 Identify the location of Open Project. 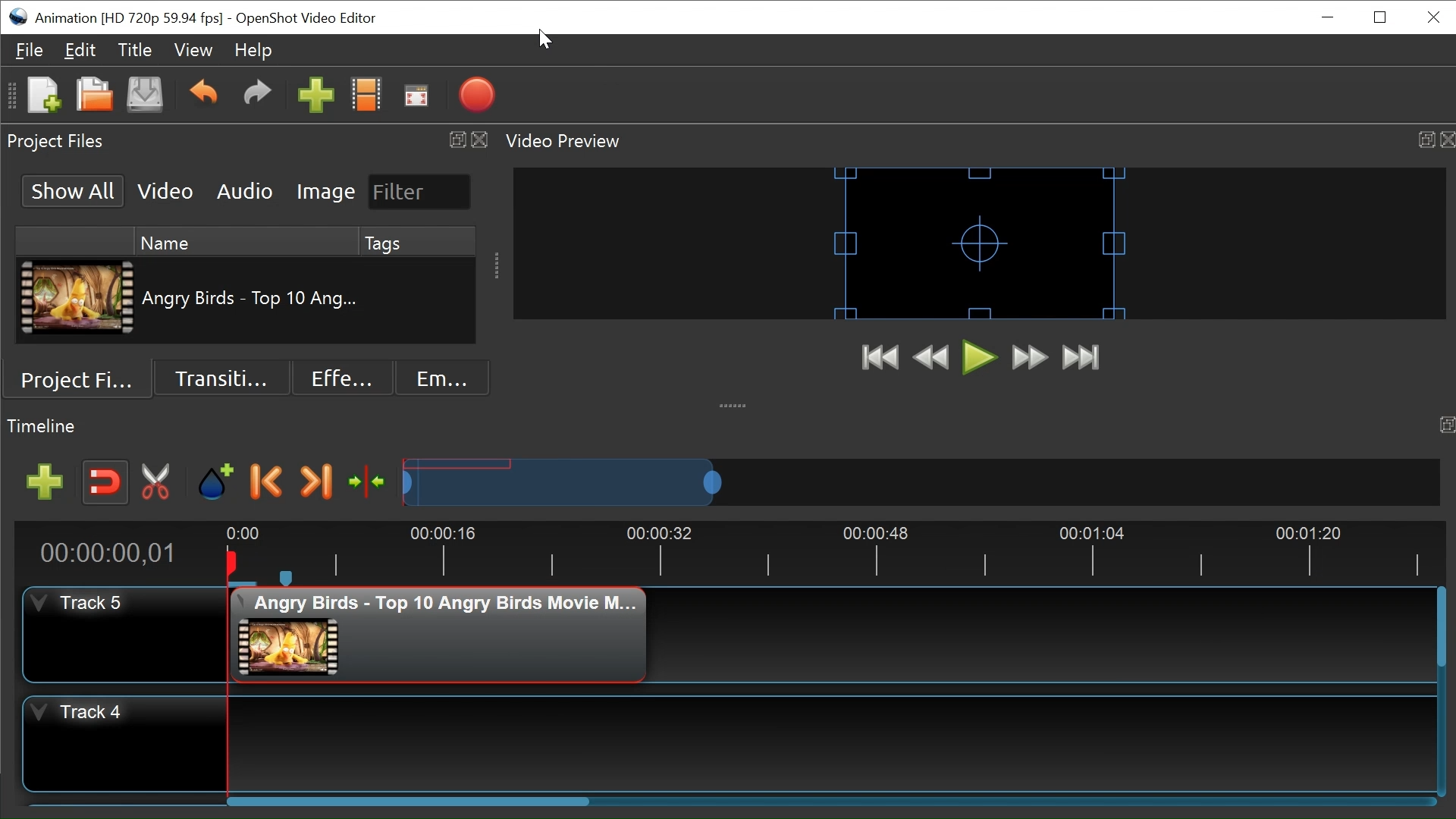
(95, 96).